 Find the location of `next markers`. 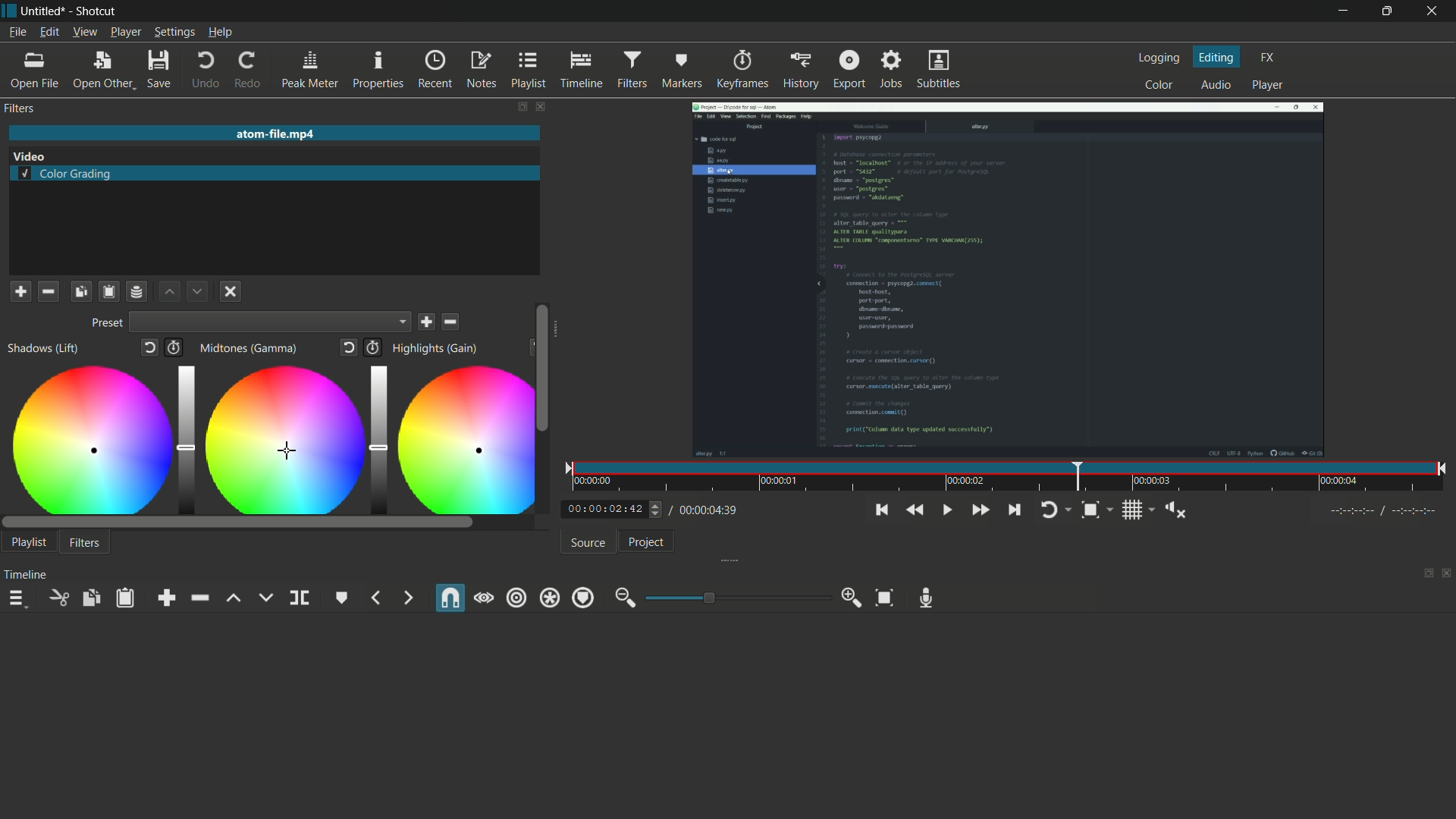

next markers is located at coordinates (406, 598).